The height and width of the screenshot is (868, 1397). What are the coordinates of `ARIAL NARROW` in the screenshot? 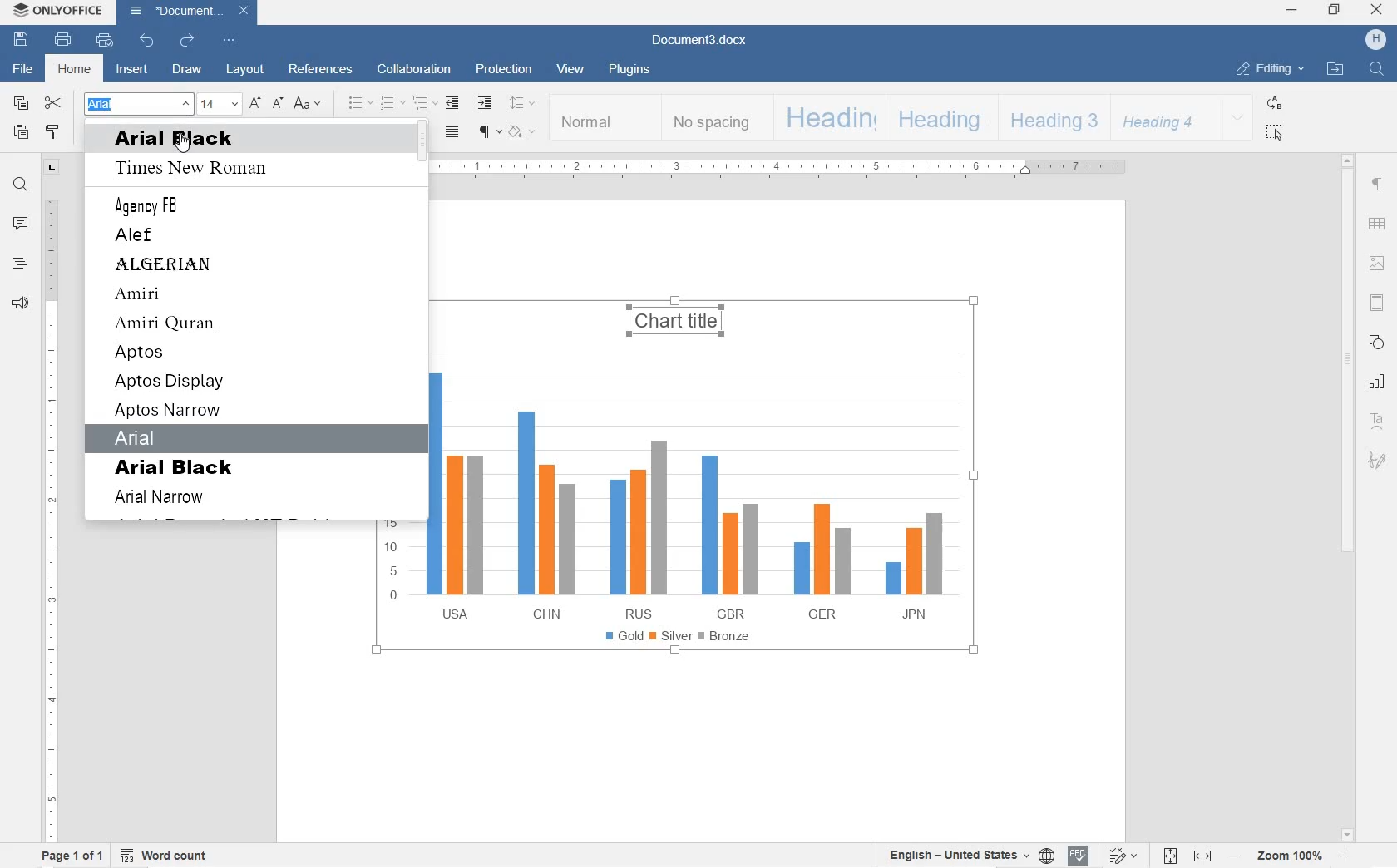 It's located at (167, 499).